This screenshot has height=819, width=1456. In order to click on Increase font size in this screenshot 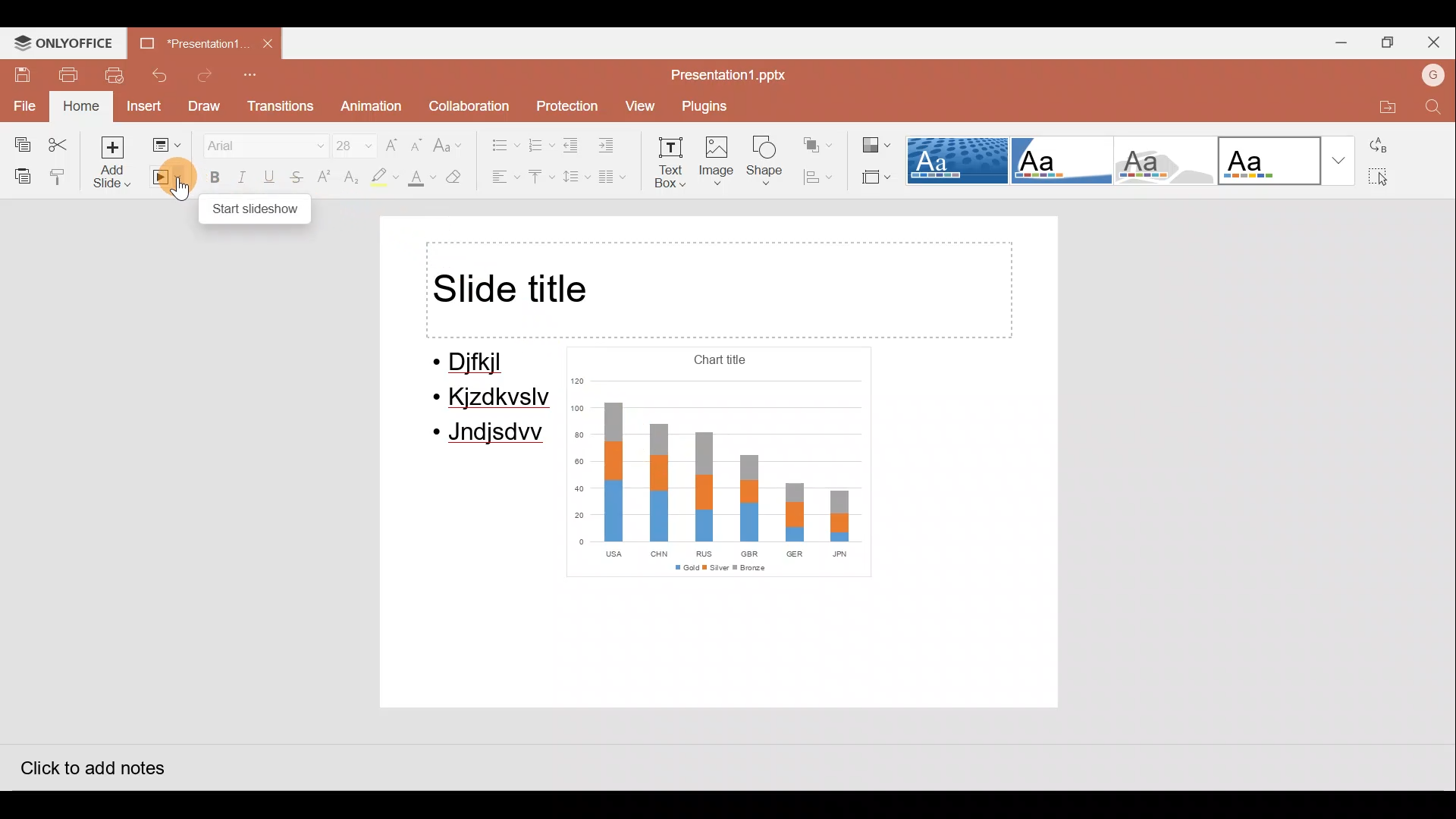, I will do `click(391, 145)`.